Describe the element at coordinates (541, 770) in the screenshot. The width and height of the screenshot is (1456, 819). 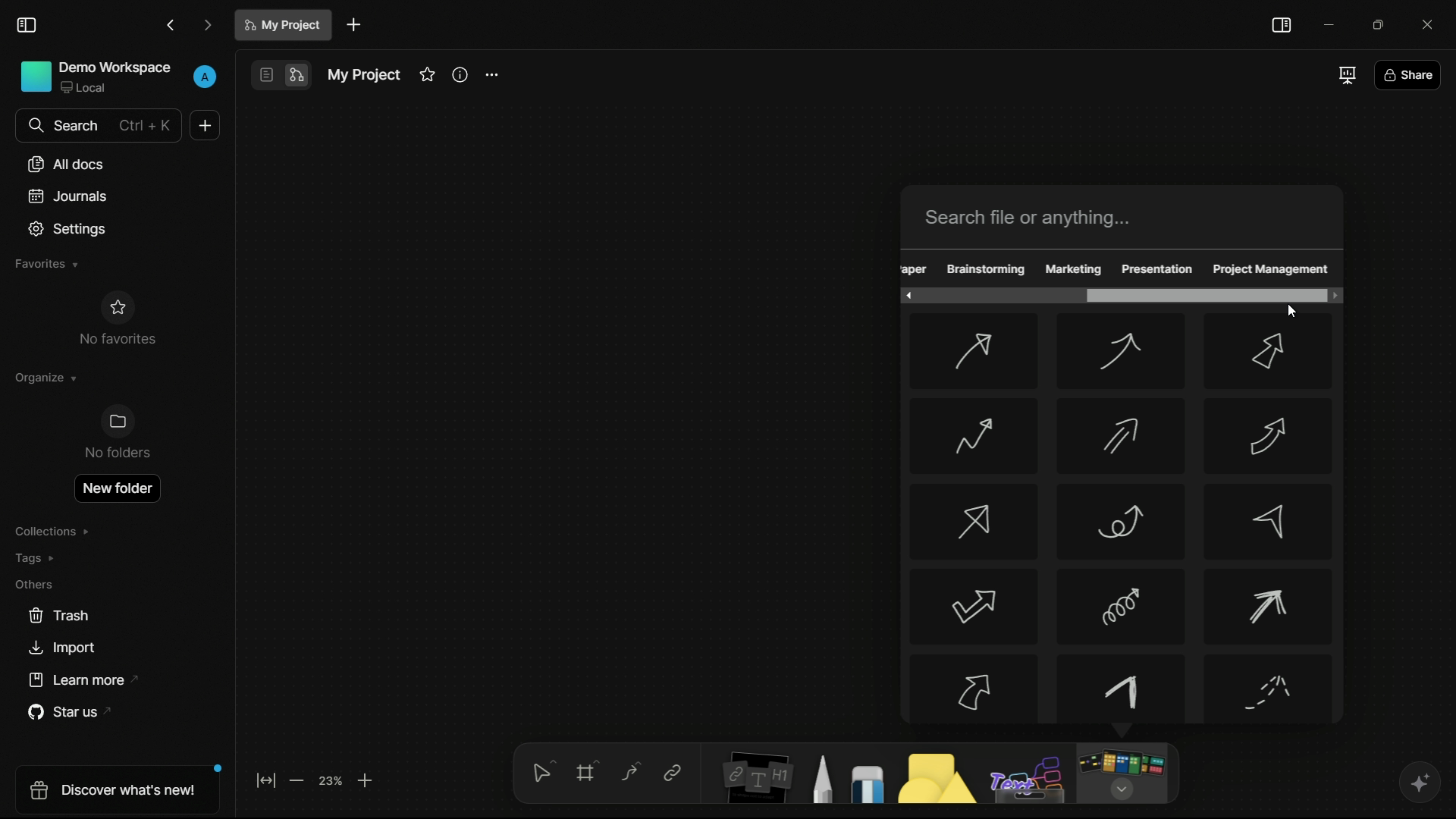
I see `select` at that location.